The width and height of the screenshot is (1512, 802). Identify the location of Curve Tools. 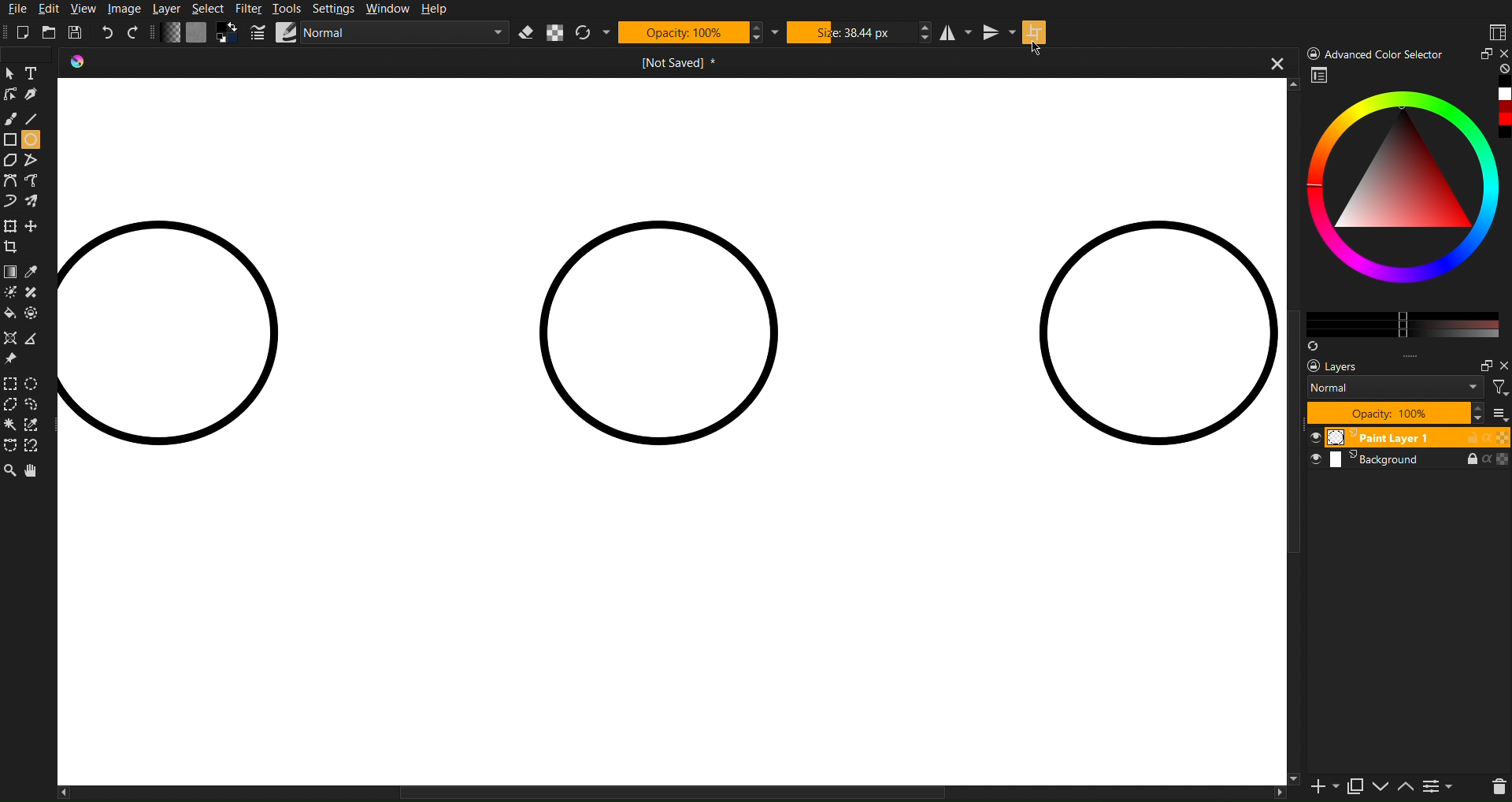
(10, 181).